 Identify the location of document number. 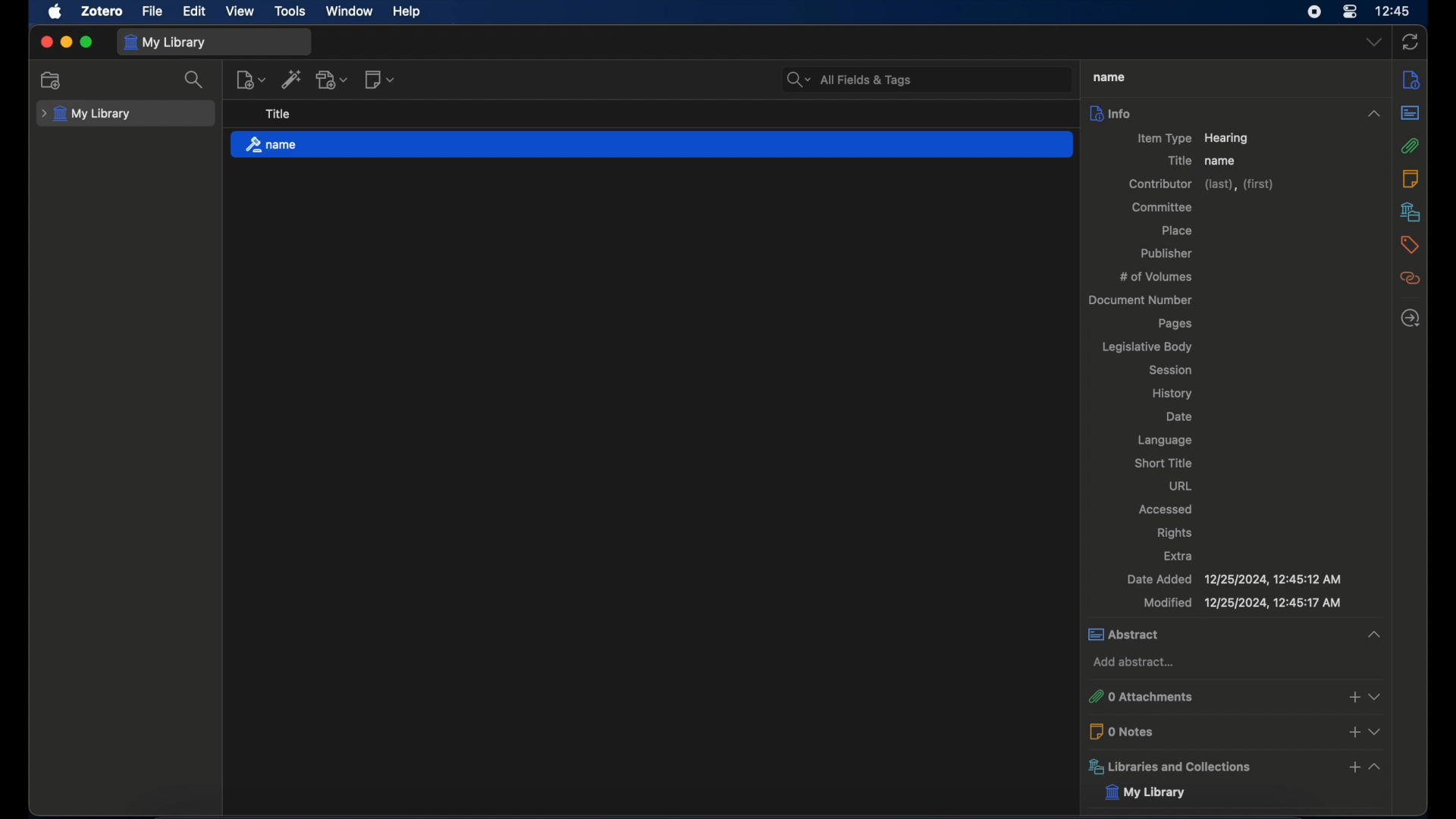
(1139, 300).